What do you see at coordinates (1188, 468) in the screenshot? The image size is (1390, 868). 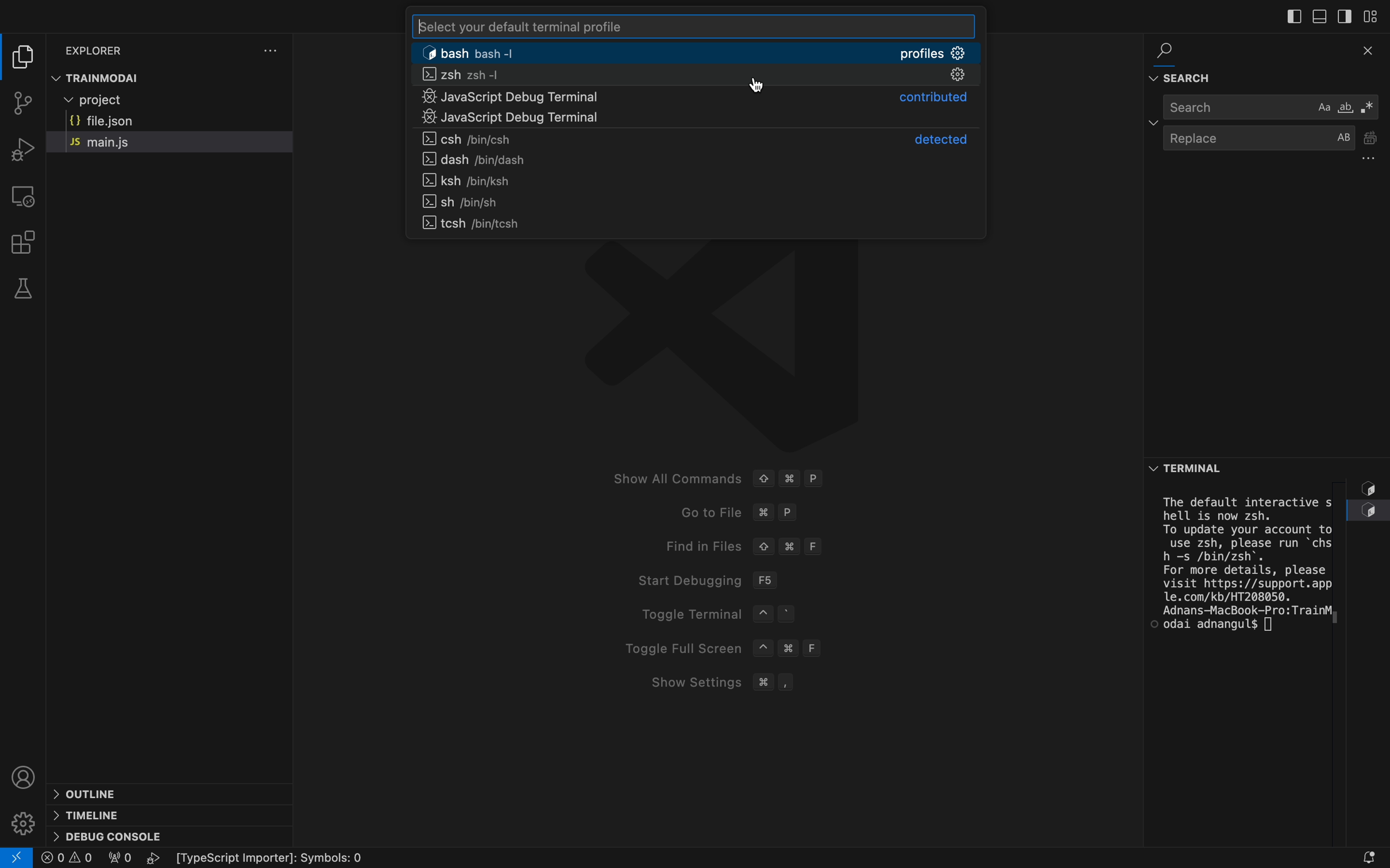 I see `` at bounding box center [1188, 468].